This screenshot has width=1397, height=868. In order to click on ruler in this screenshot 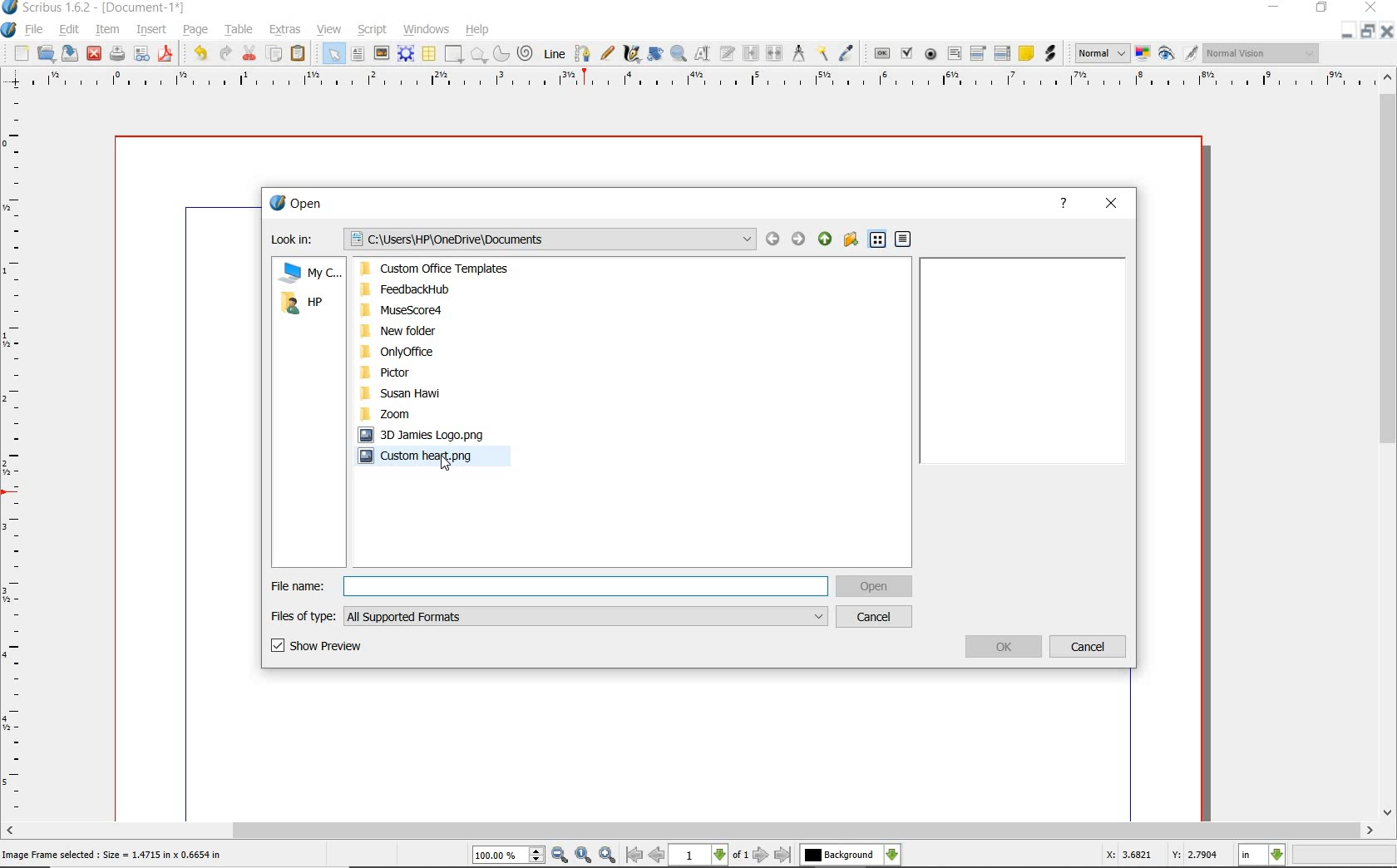, I will do `click(706, 80)`.